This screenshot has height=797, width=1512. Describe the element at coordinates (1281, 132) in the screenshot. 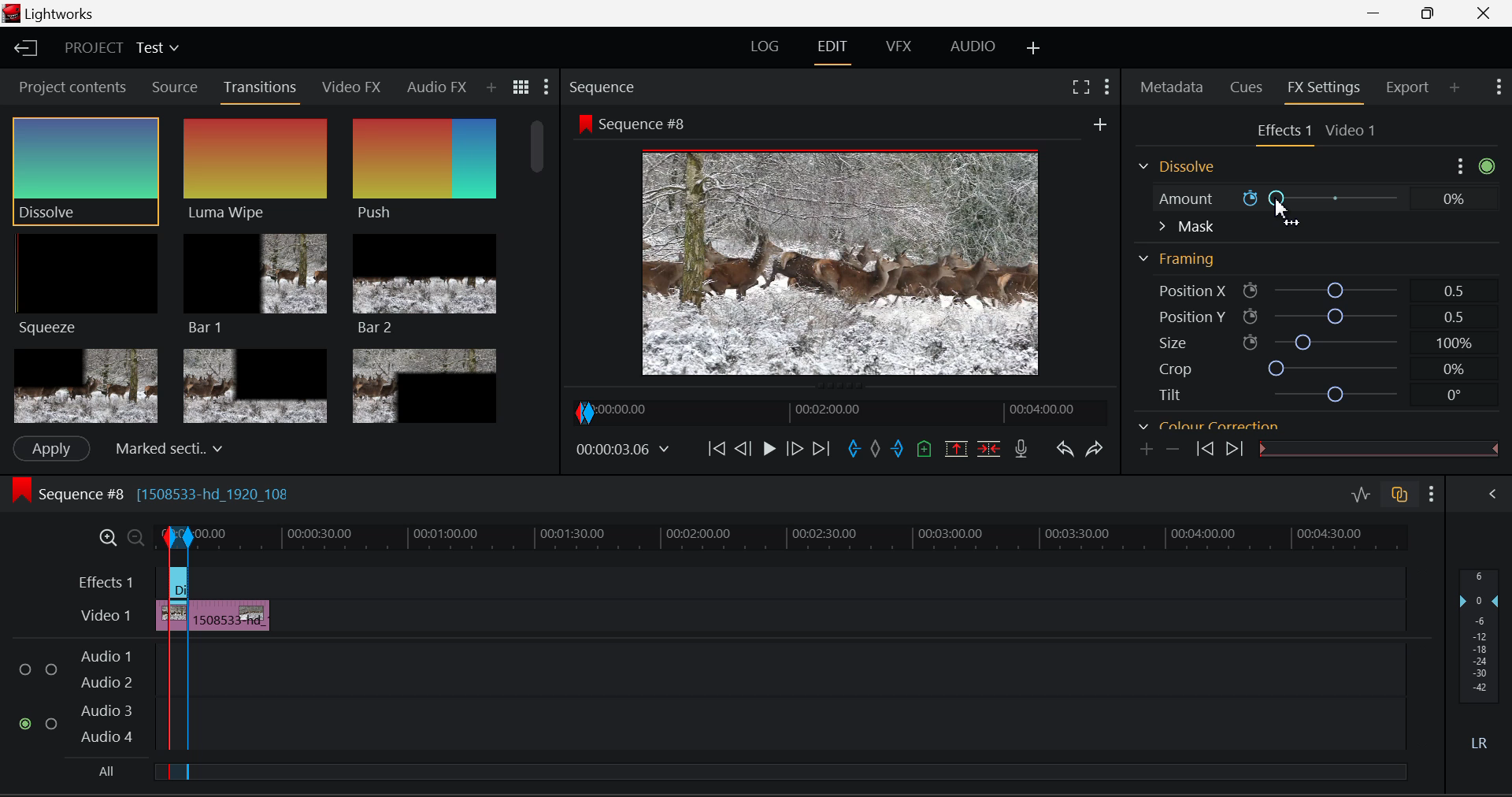

I see `Effects Settings` at that location.